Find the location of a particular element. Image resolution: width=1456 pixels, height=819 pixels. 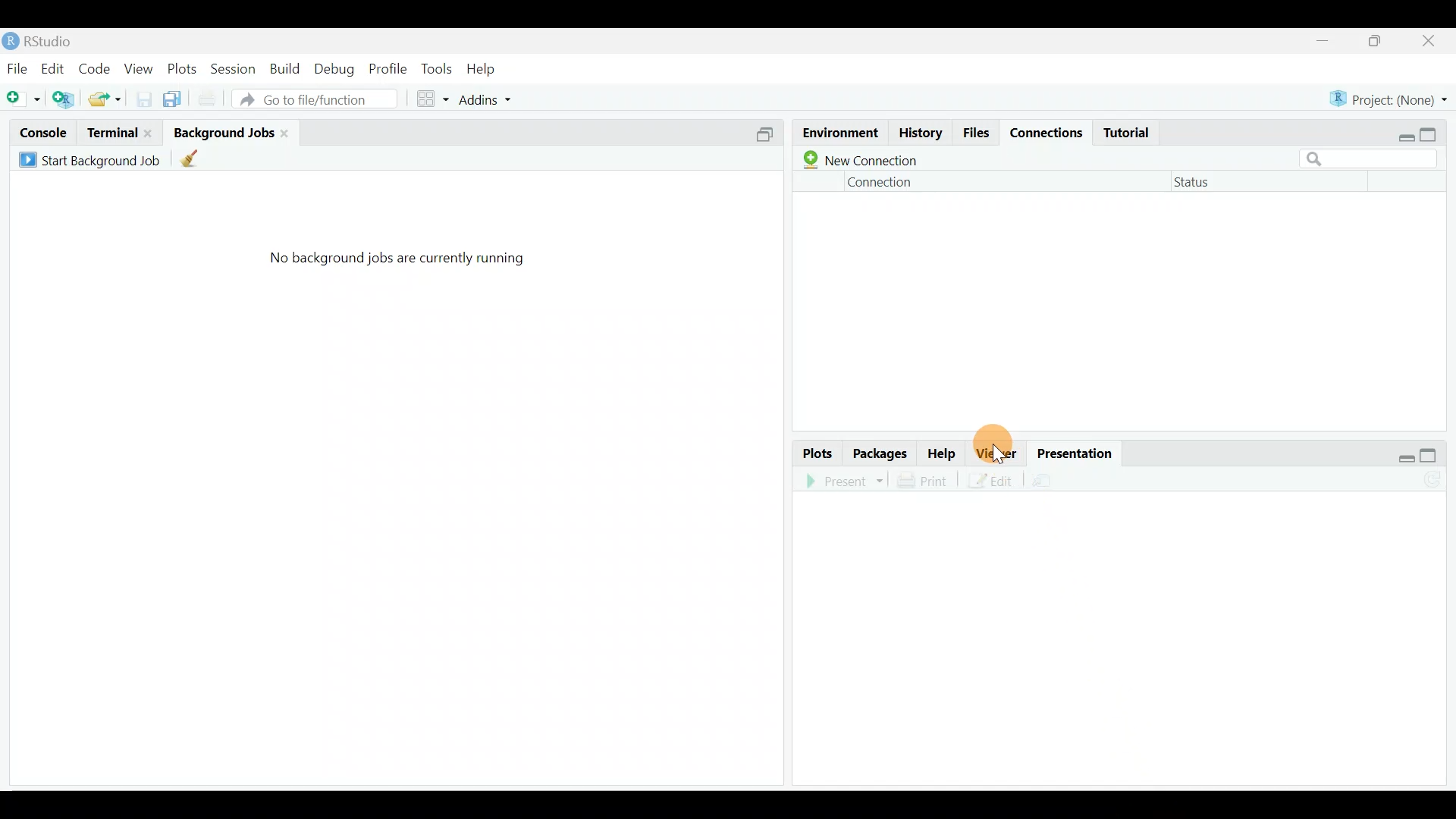

Maximize is located at coordinates (1378, 42).